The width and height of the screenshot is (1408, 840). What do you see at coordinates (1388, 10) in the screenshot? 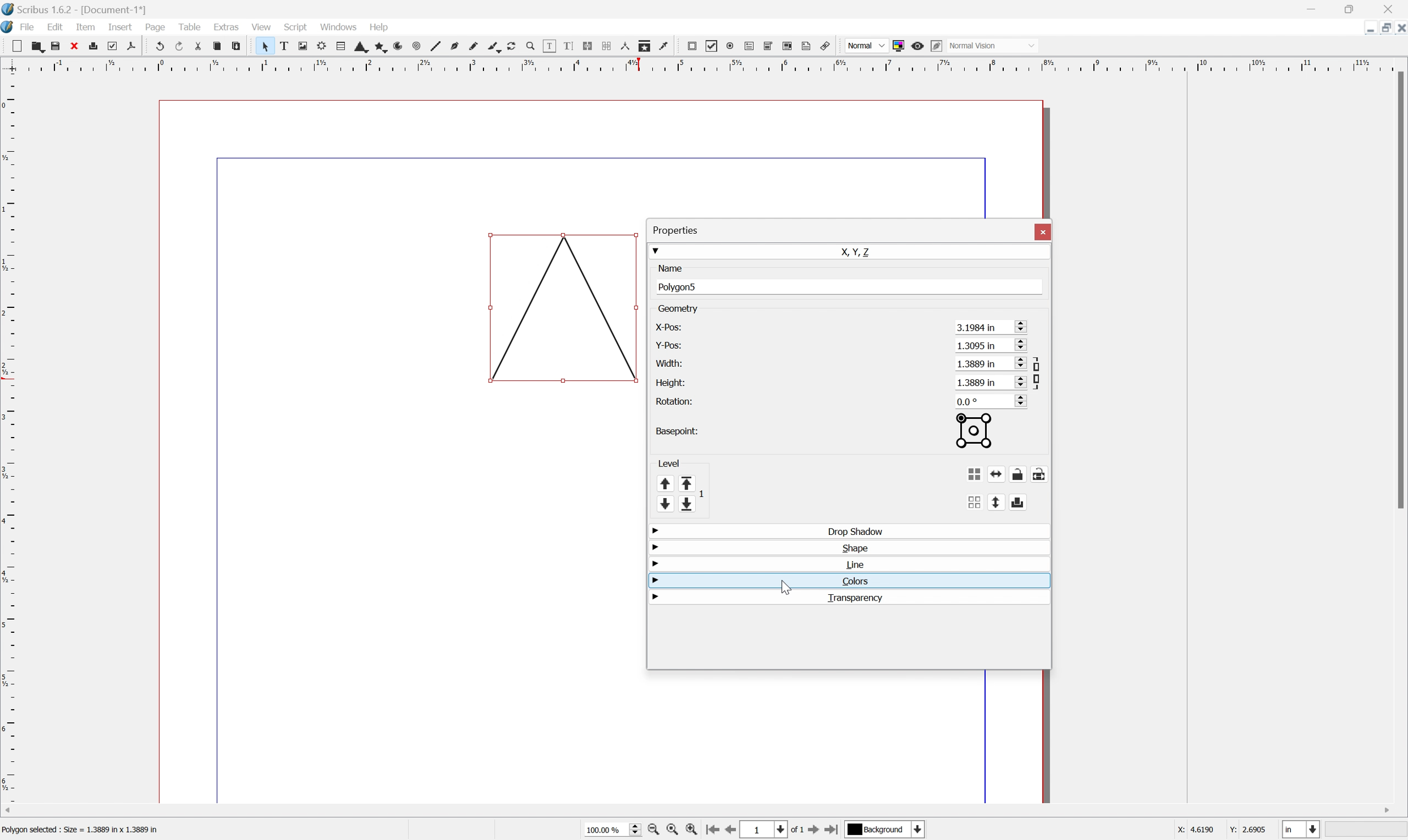
I see `Close` at bounding box center [1388, 10].